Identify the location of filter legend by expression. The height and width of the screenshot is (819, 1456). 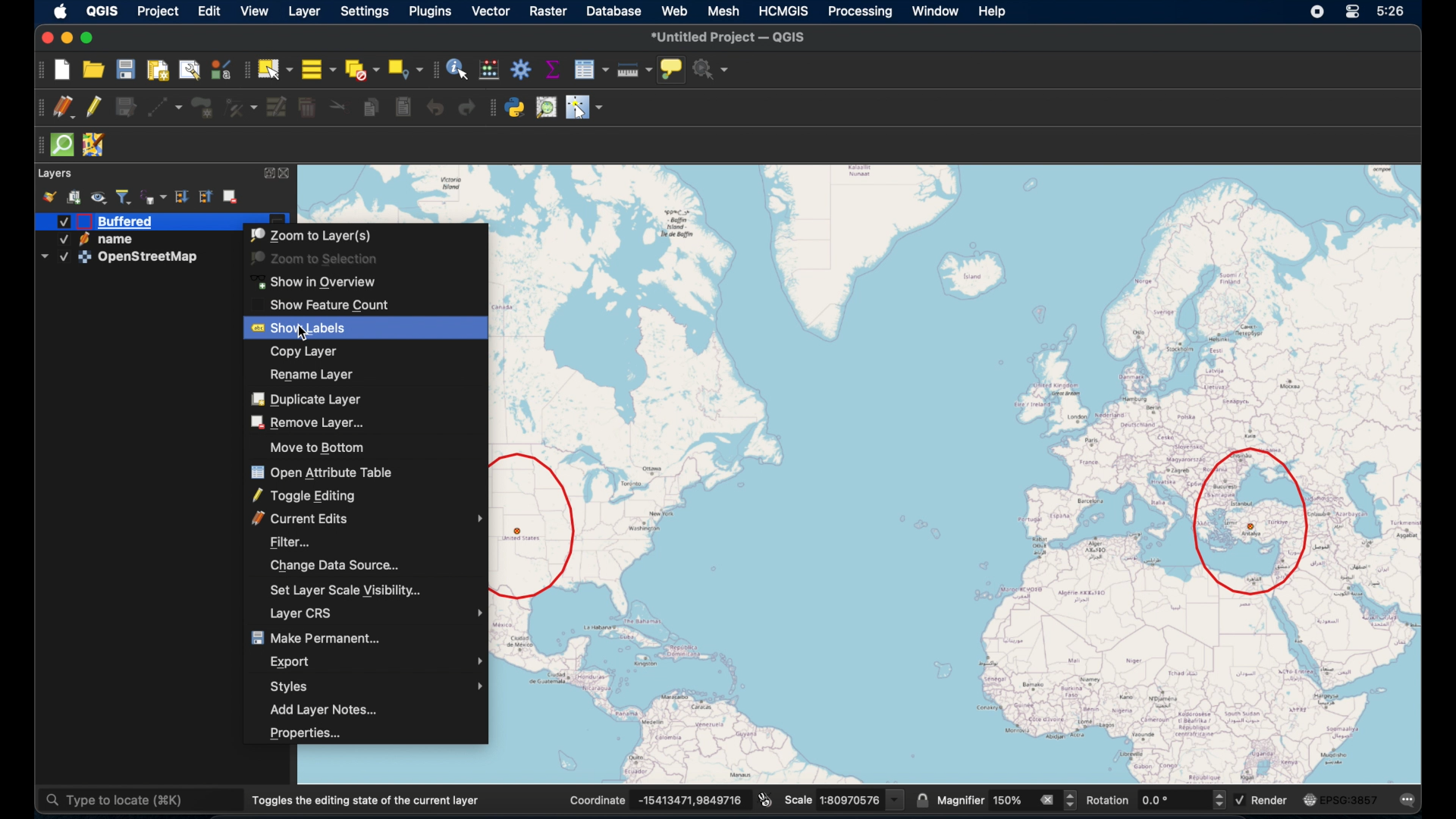
(154, 196).